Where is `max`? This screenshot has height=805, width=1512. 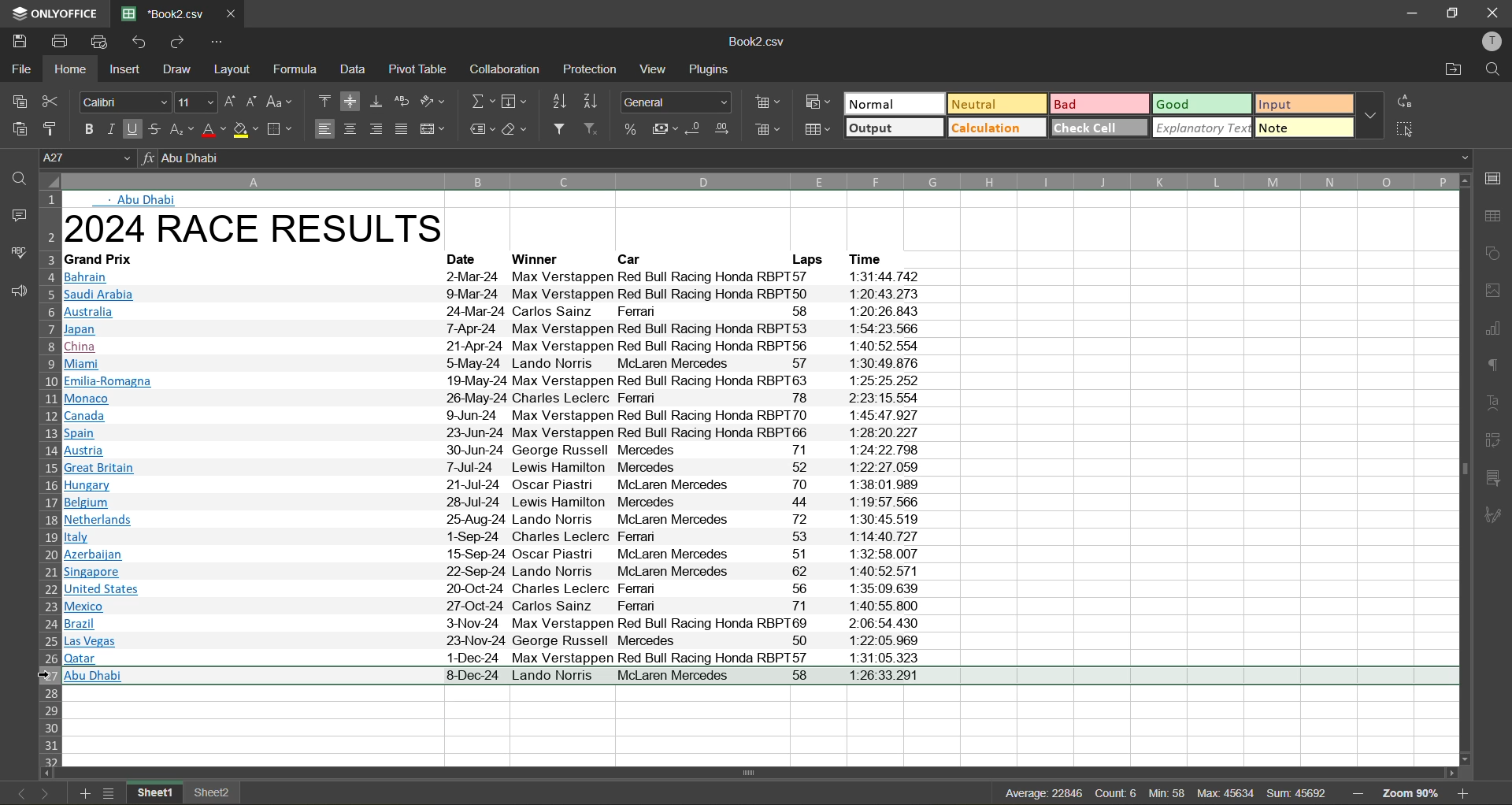
max is located at coordinates (1224, 793).